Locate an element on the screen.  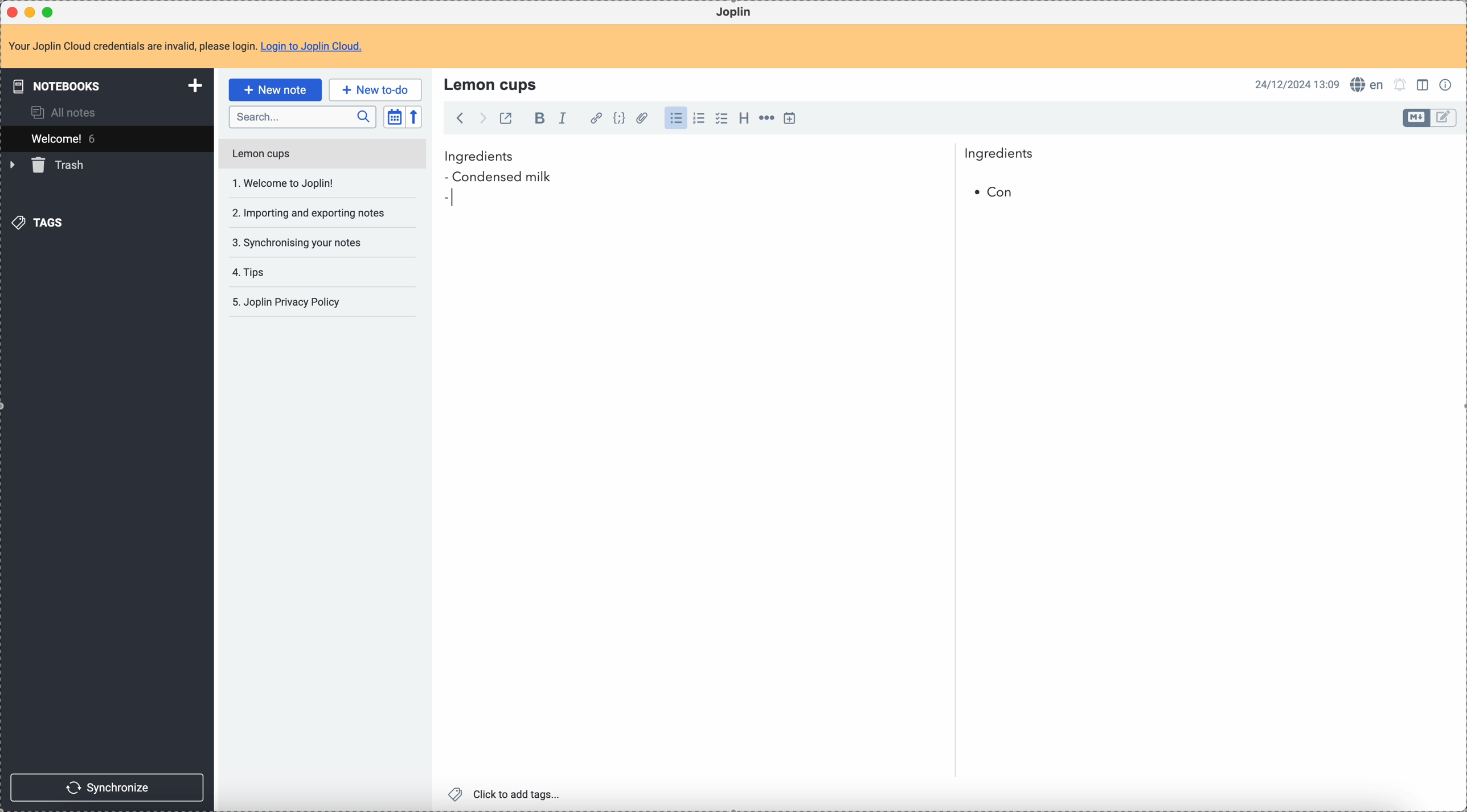
minimize is located at coordinates (32, 13).